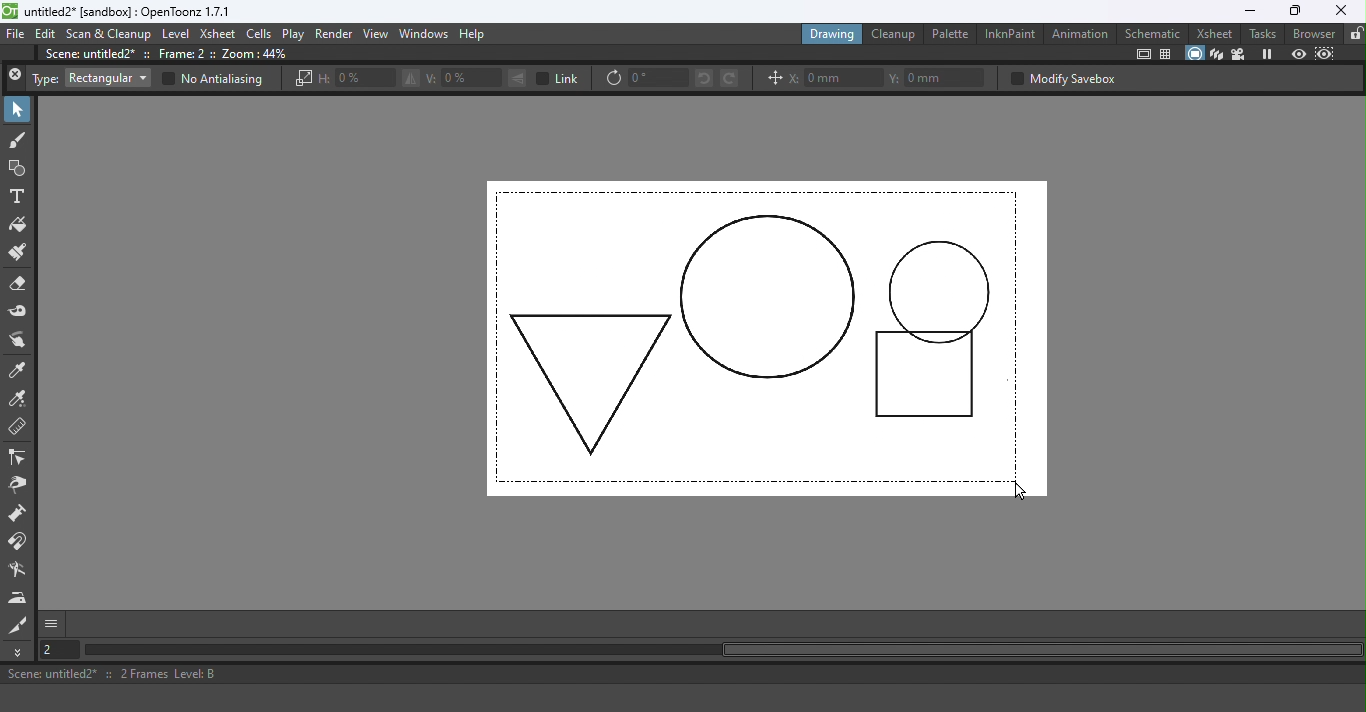  I want to click on Play, so click(294, 34).